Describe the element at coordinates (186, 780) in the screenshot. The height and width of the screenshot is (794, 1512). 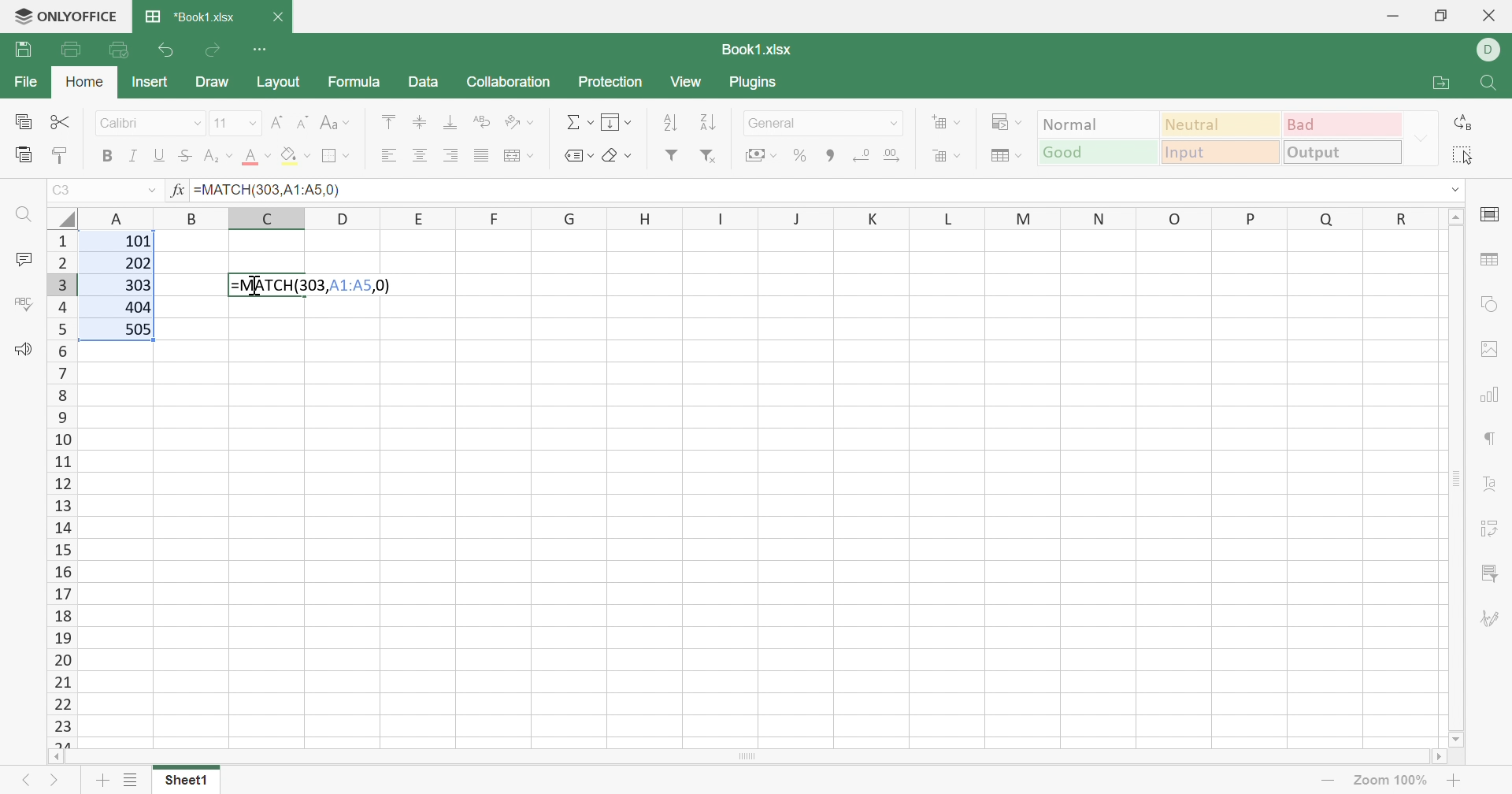
I see `Sheet1` at that location.